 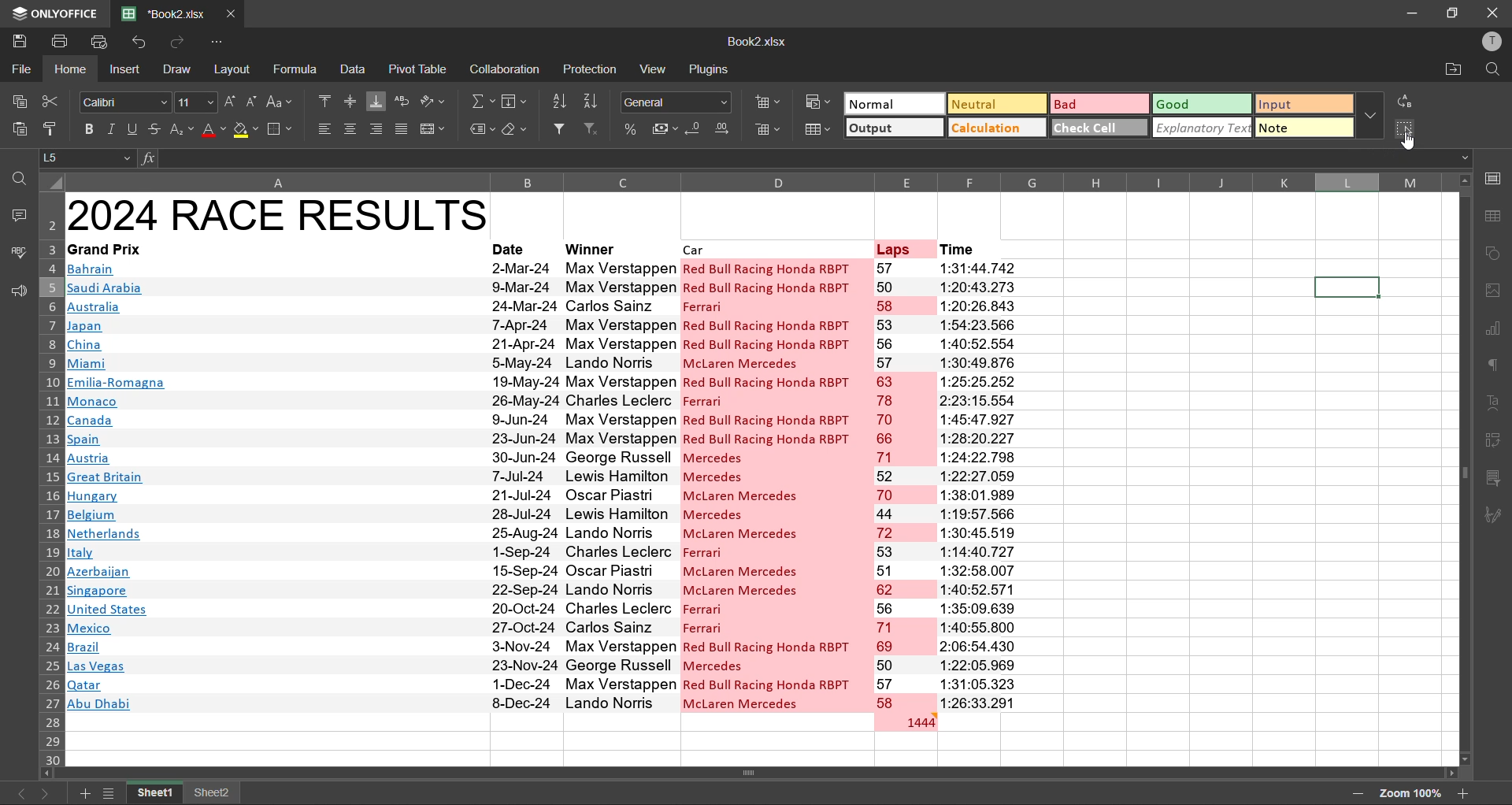 What do you see at coordinates (1203, 105) in the screenshot?
I see `good` at bounding box center [1203, 105].